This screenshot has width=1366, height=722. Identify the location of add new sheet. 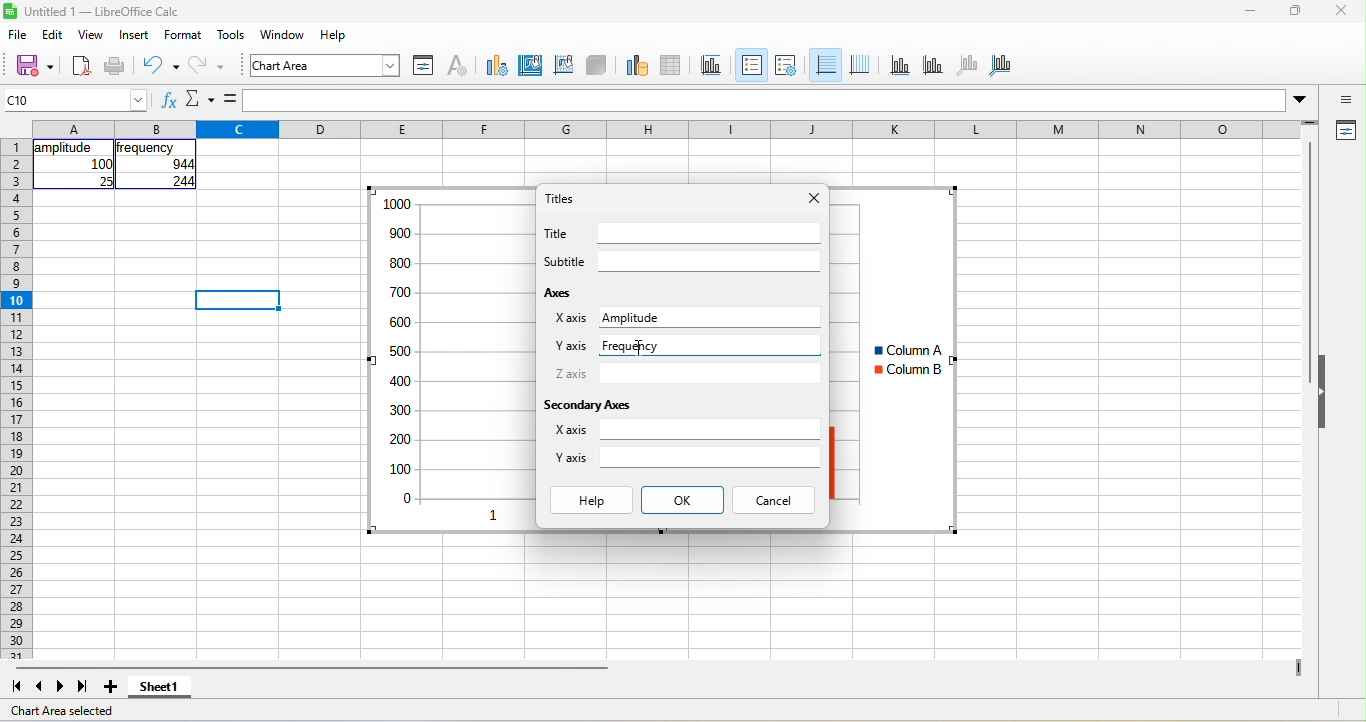
(110, 687).